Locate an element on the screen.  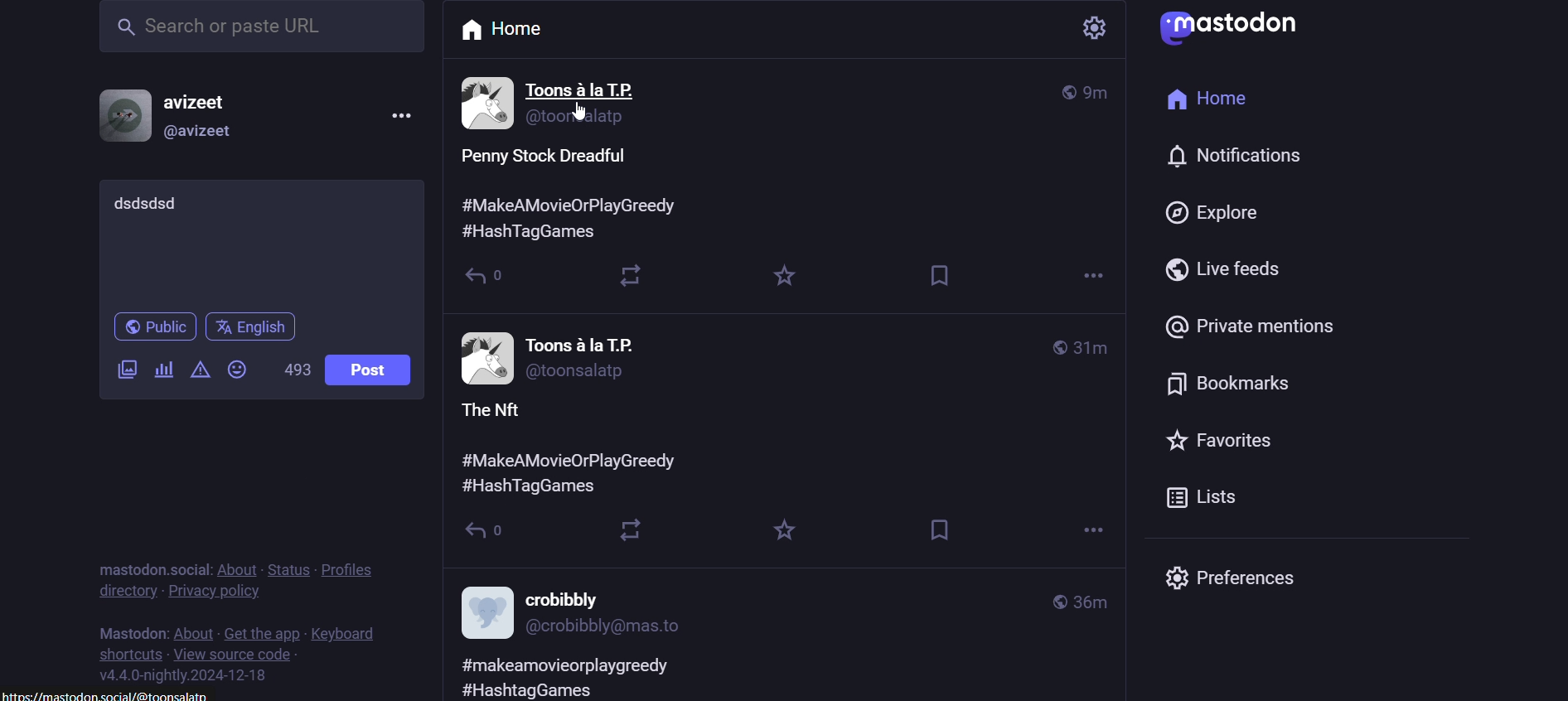
 is located at coordinates (542, 690).